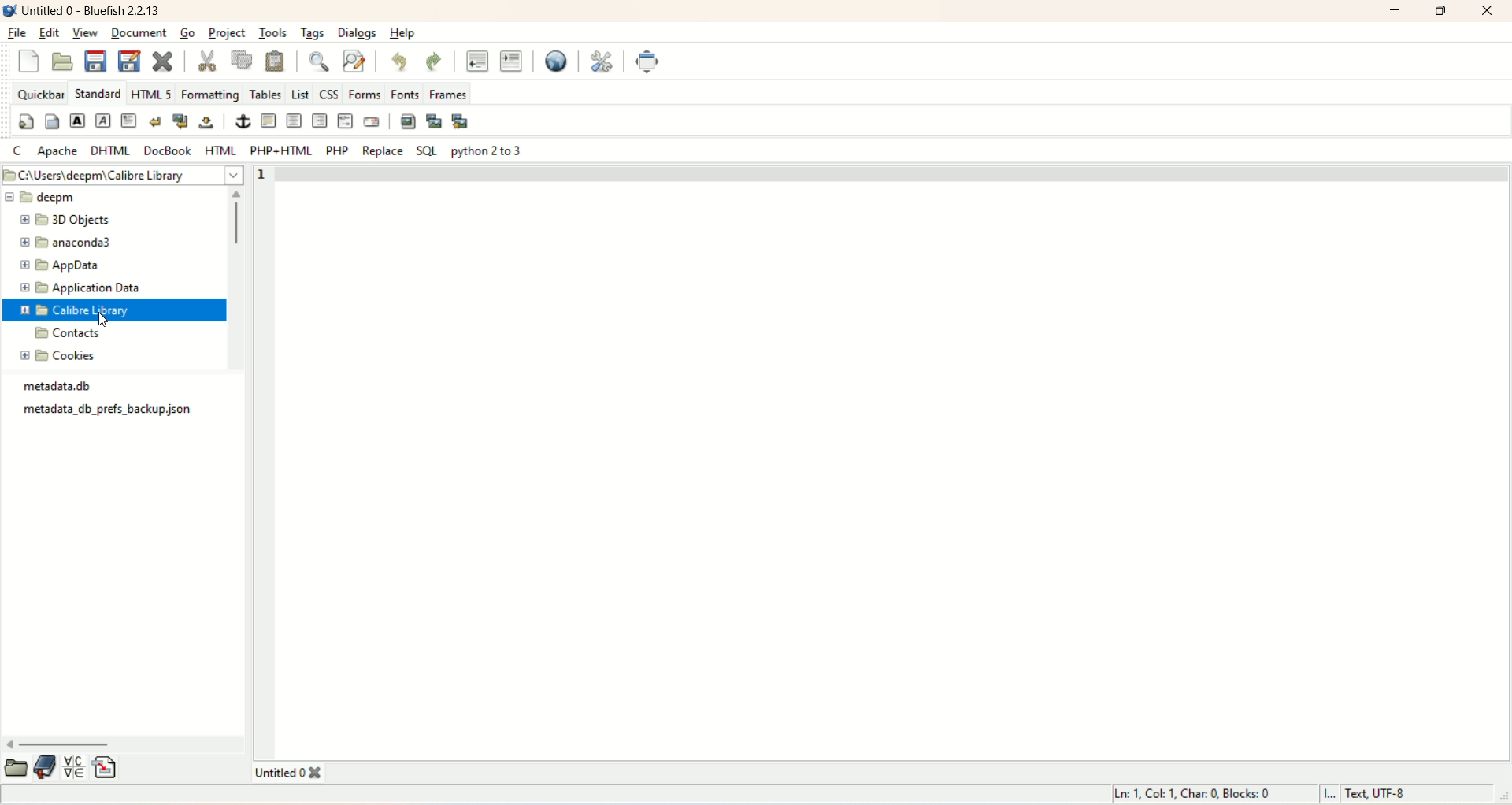  I want to click on emphasize, so click(104, 121).